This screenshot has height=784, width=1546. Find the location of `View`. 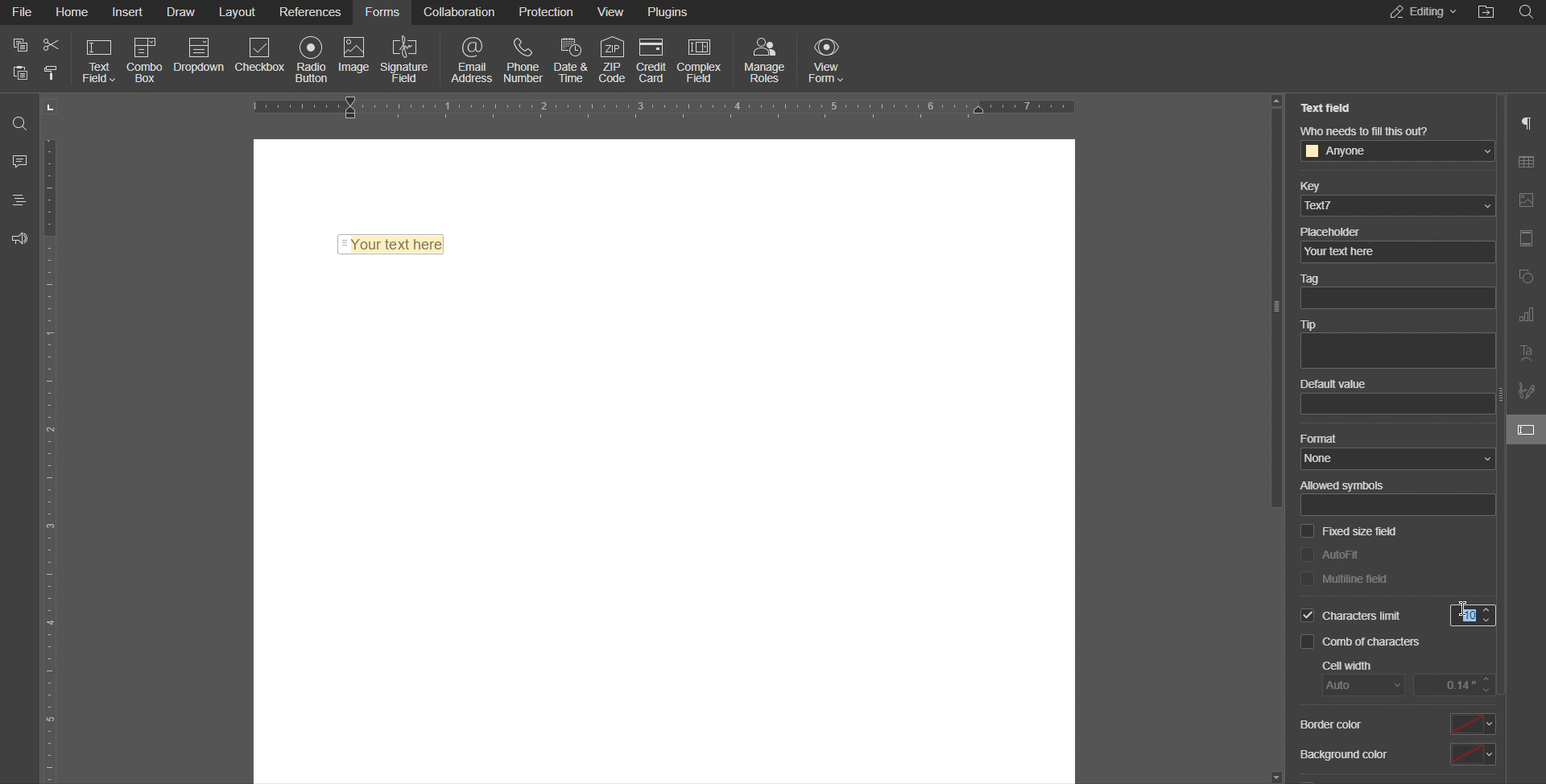

View is located at coordinates (619, 11).